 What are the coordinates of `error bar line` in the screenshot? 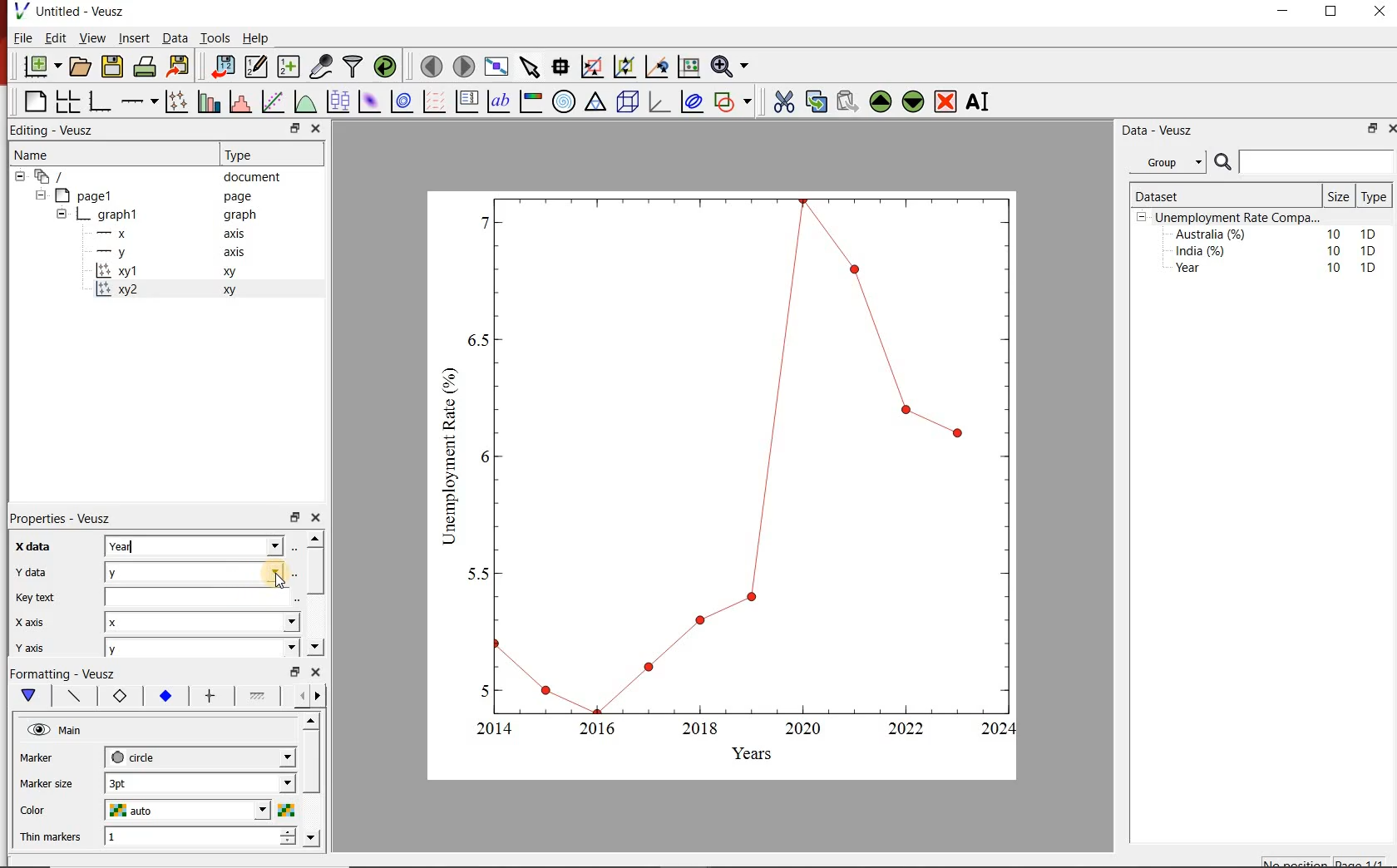 It's located at (211, 696).